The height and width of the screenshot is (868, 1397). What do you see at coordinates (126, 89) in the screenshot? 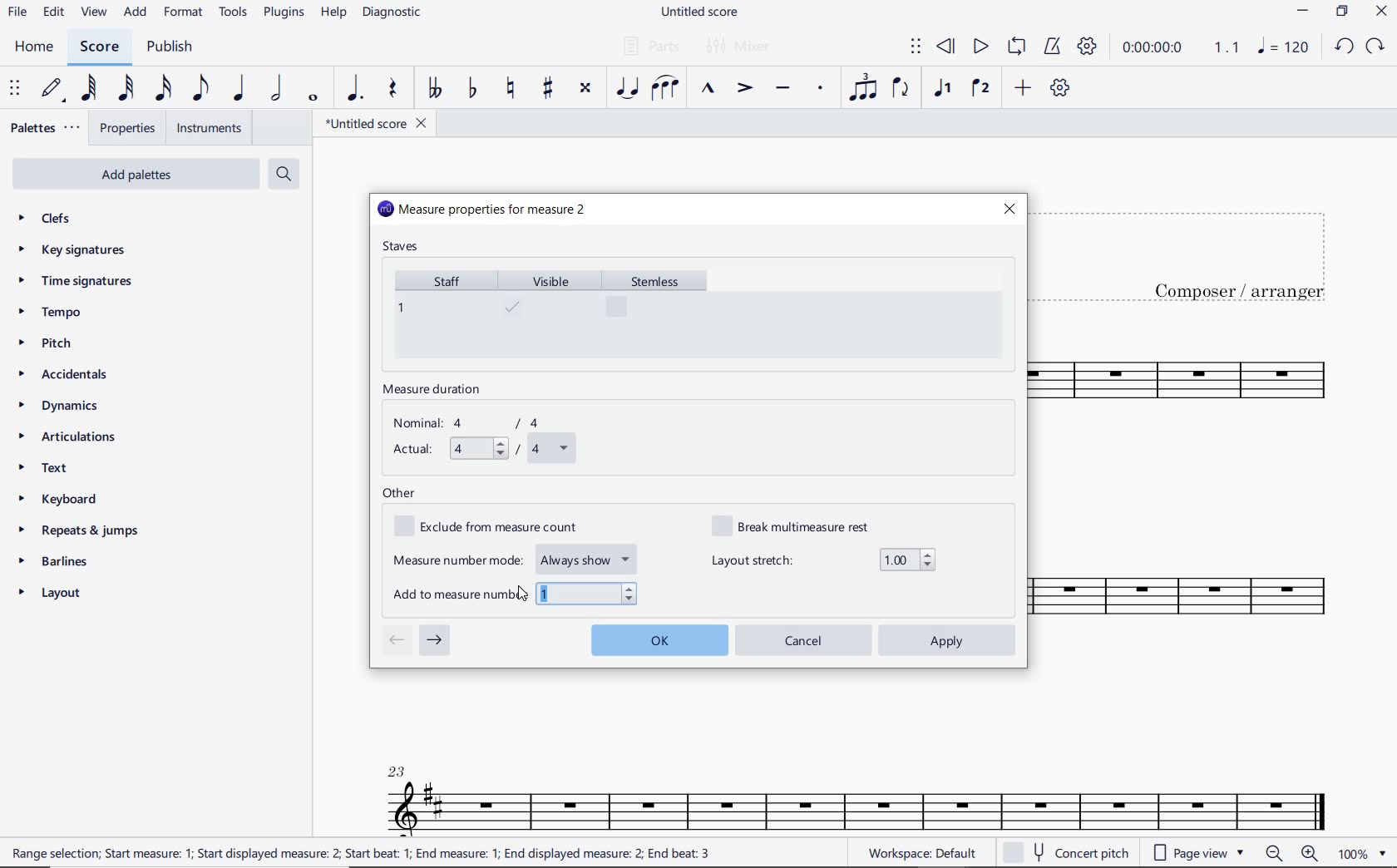
I see `32ND NOTE` at bounding box center [126, 89].